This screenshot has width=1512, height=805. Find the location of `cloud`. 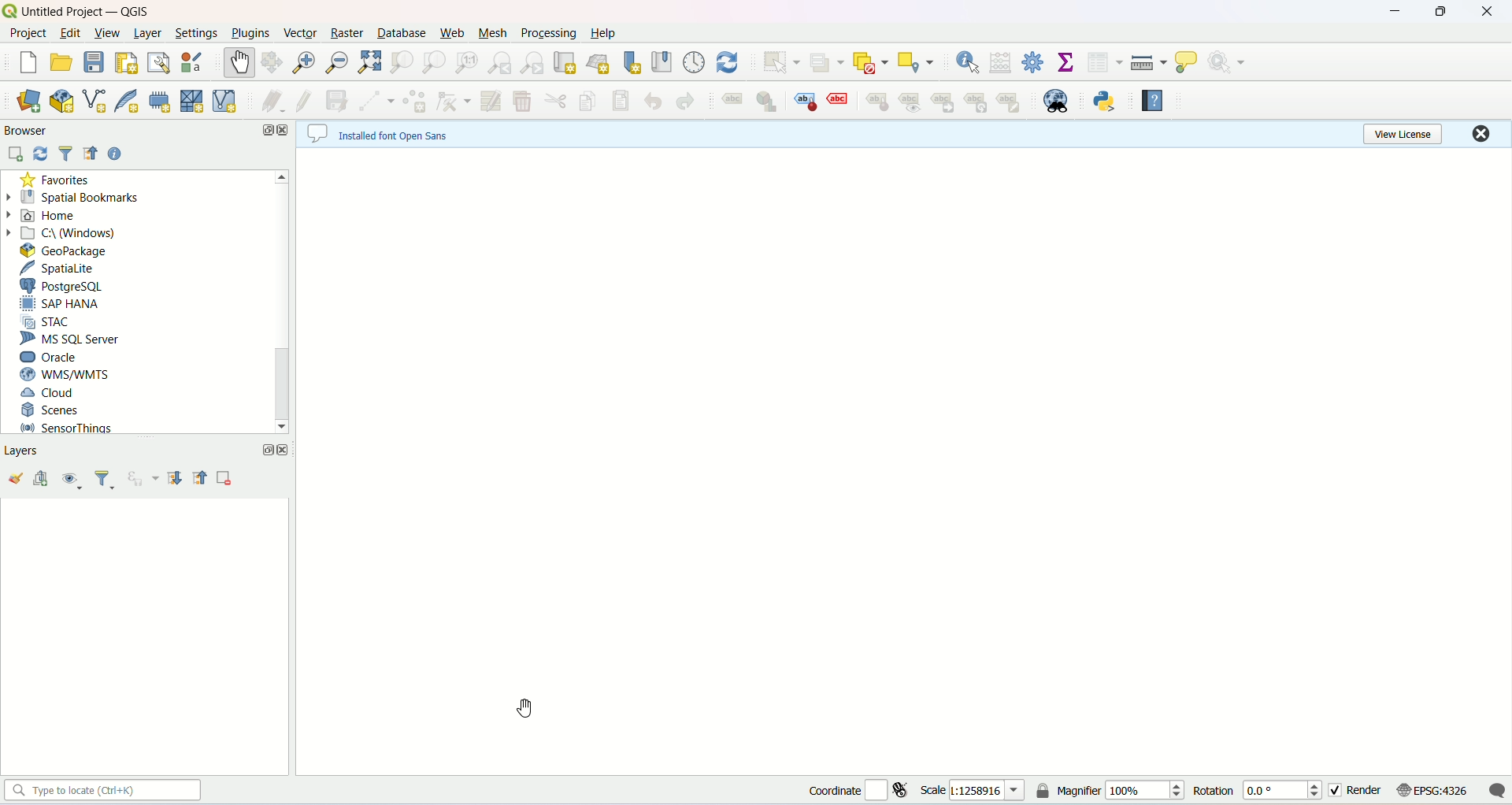

cloud is located at coordinates (50, 394).